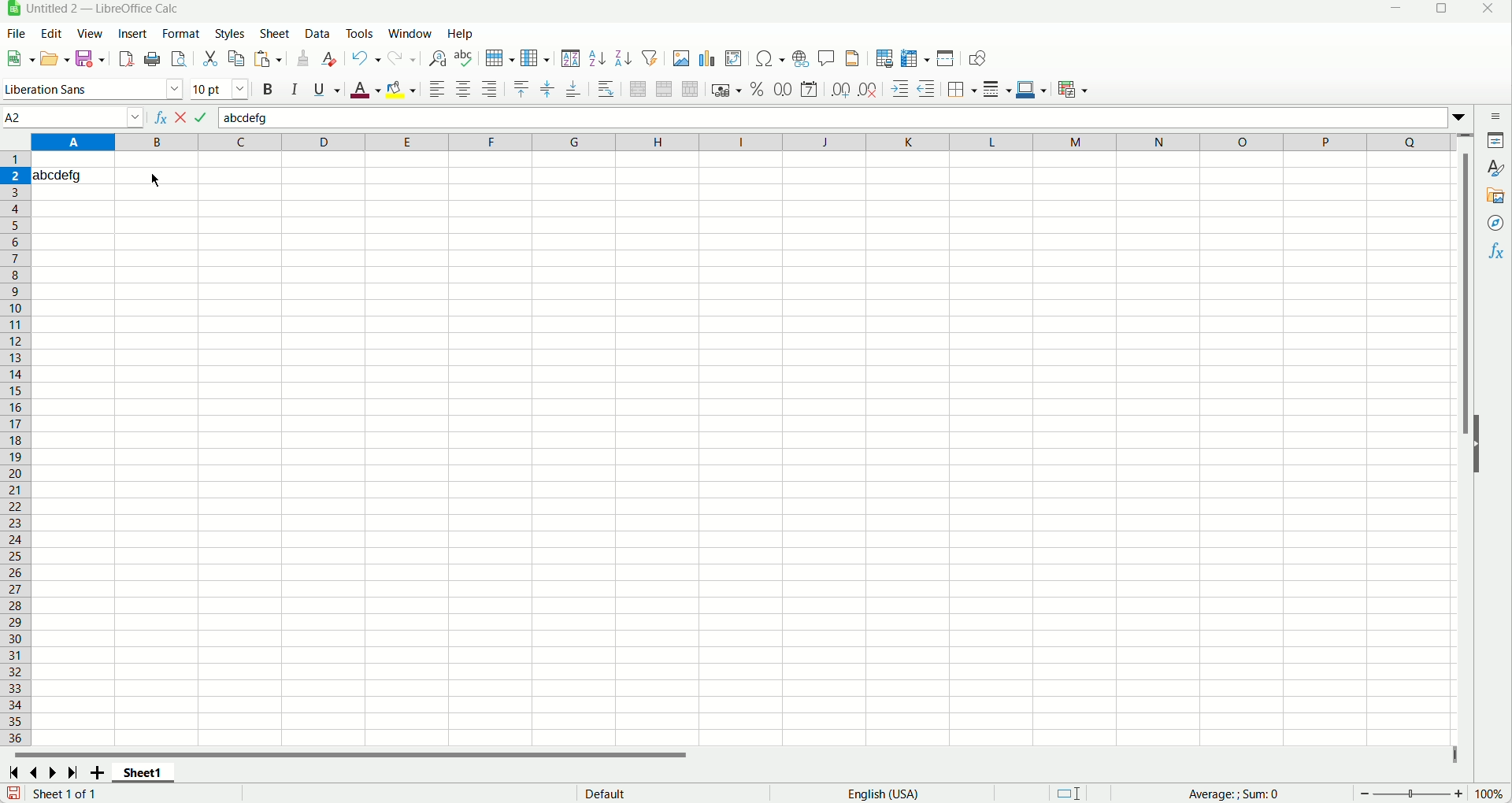 This screenshot has width=1512, height=803. I want to click on paste, so click(267, 58).